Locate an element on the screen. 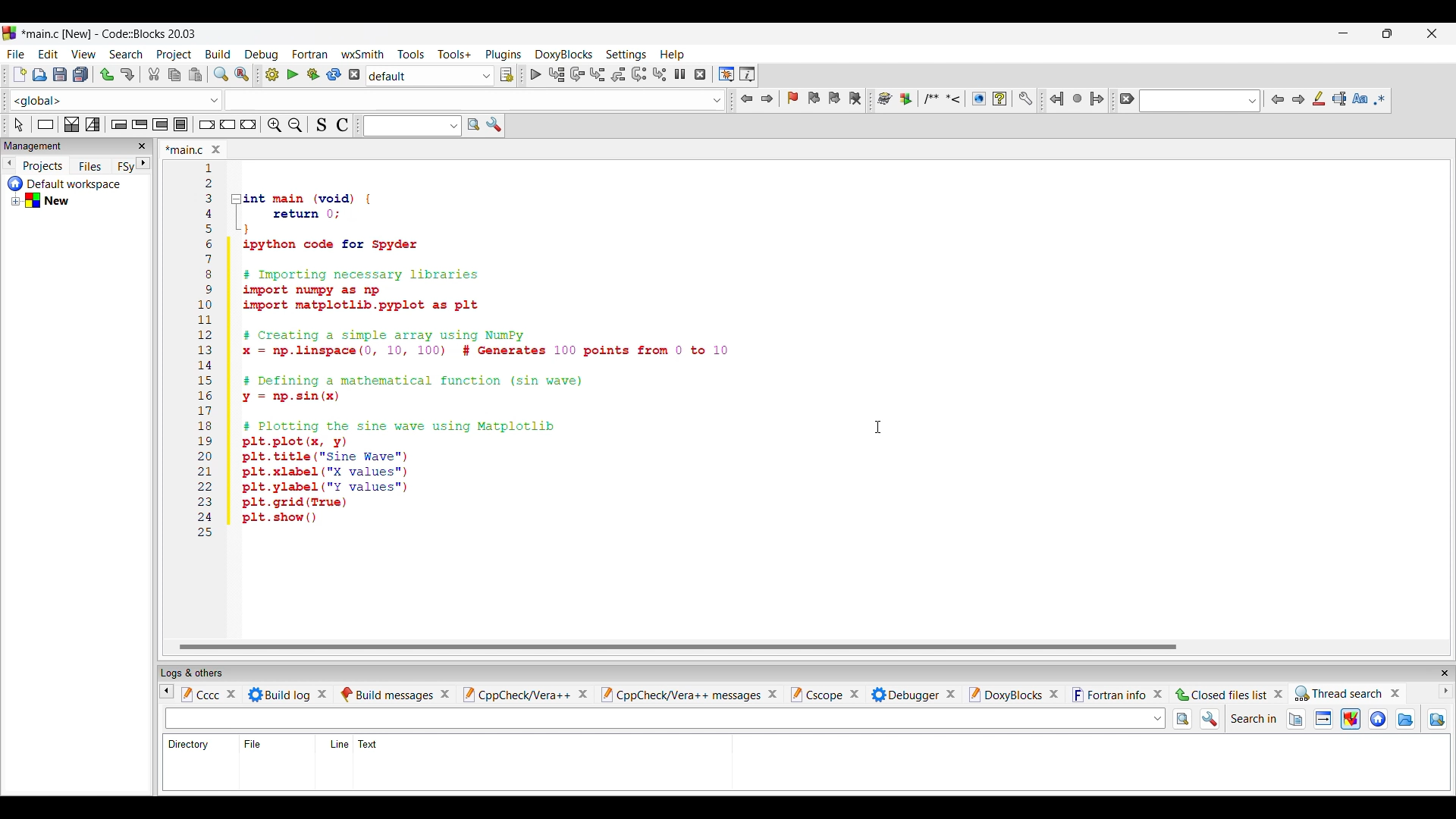  Tools menu is located at coordinates (411, 54).